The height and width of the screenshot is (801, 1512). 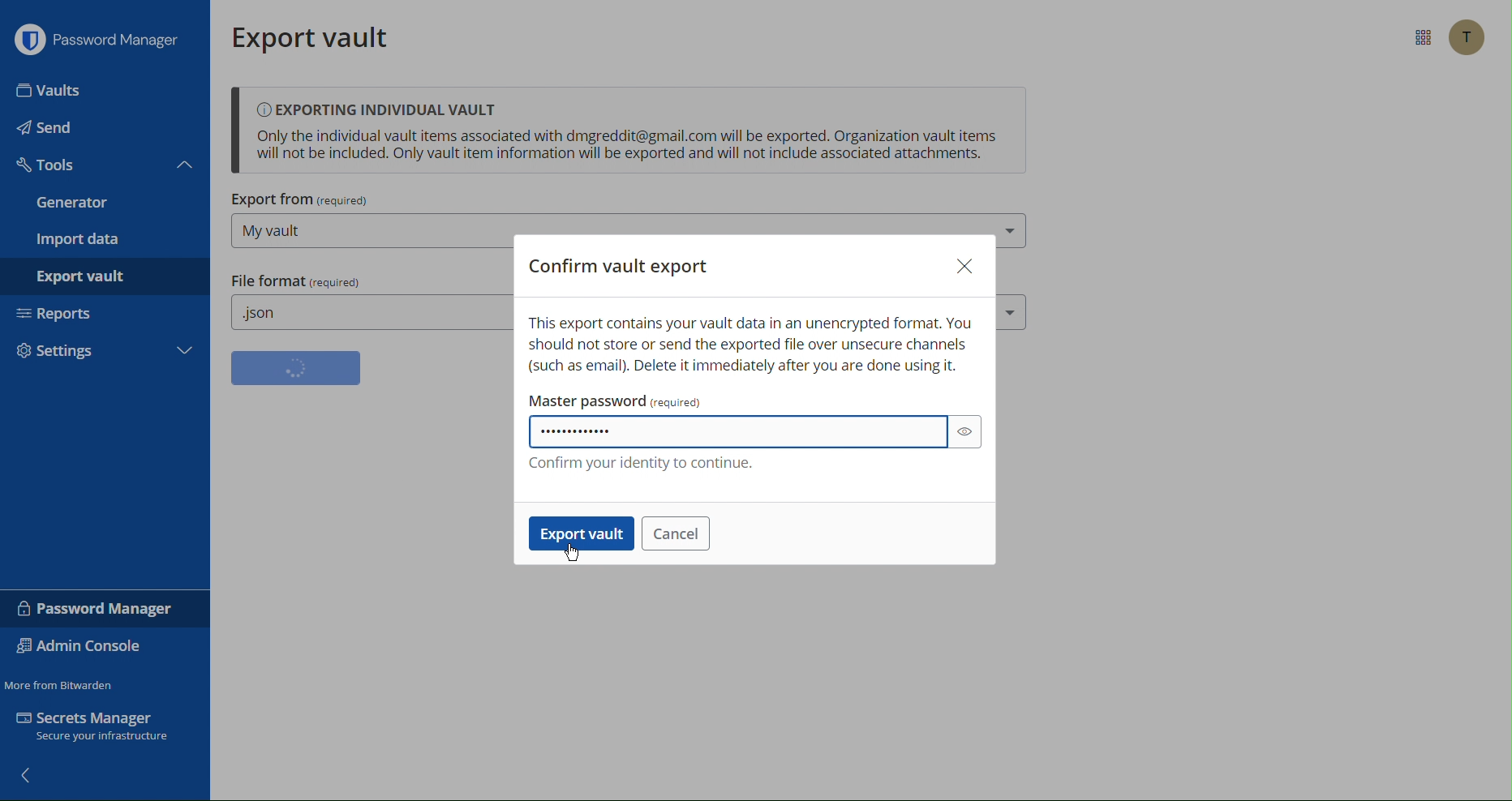 I want to click on Secrets Manager , so click(x=99, y=728).